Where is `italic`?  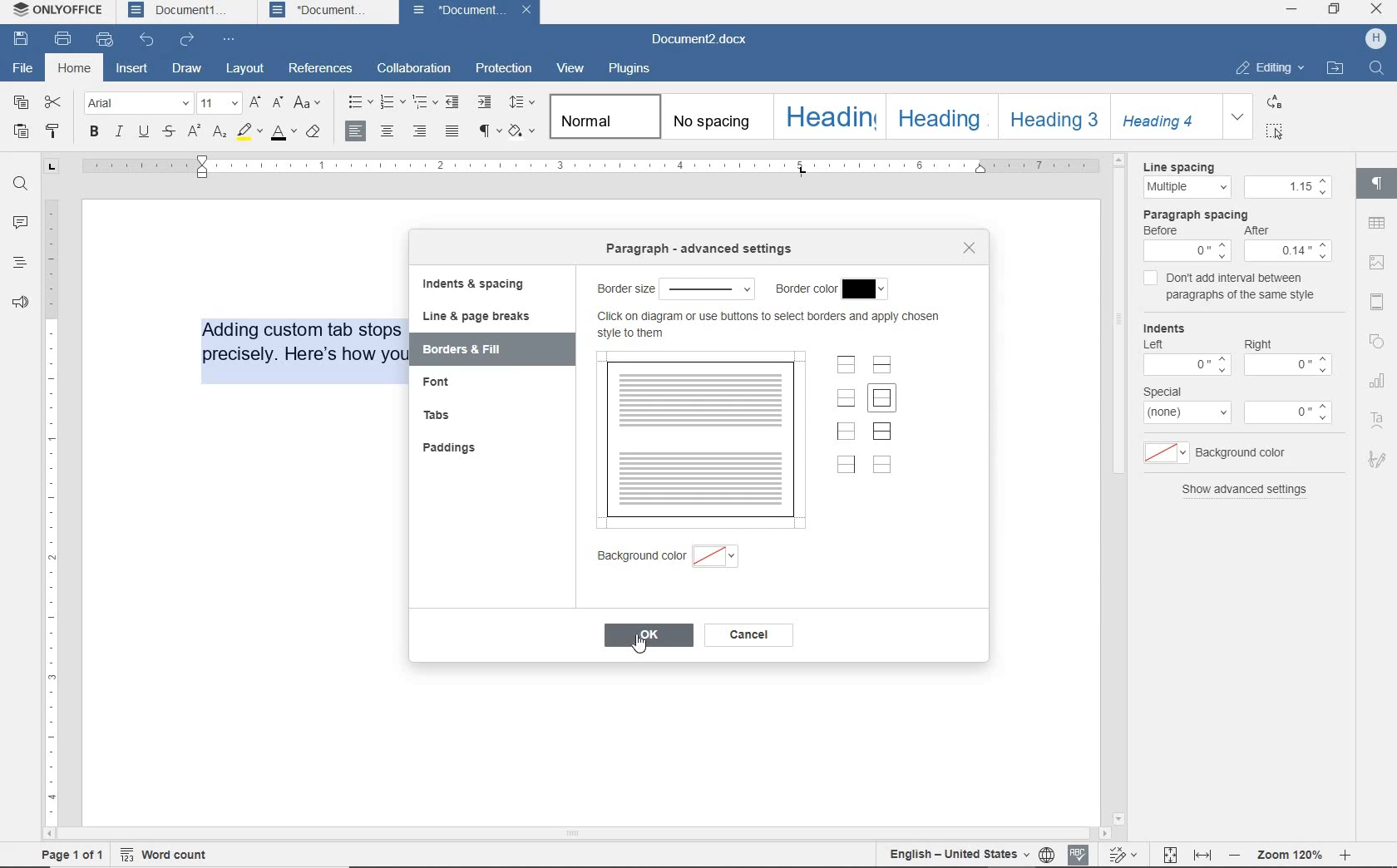 italic is located at coordinates (120, 133).